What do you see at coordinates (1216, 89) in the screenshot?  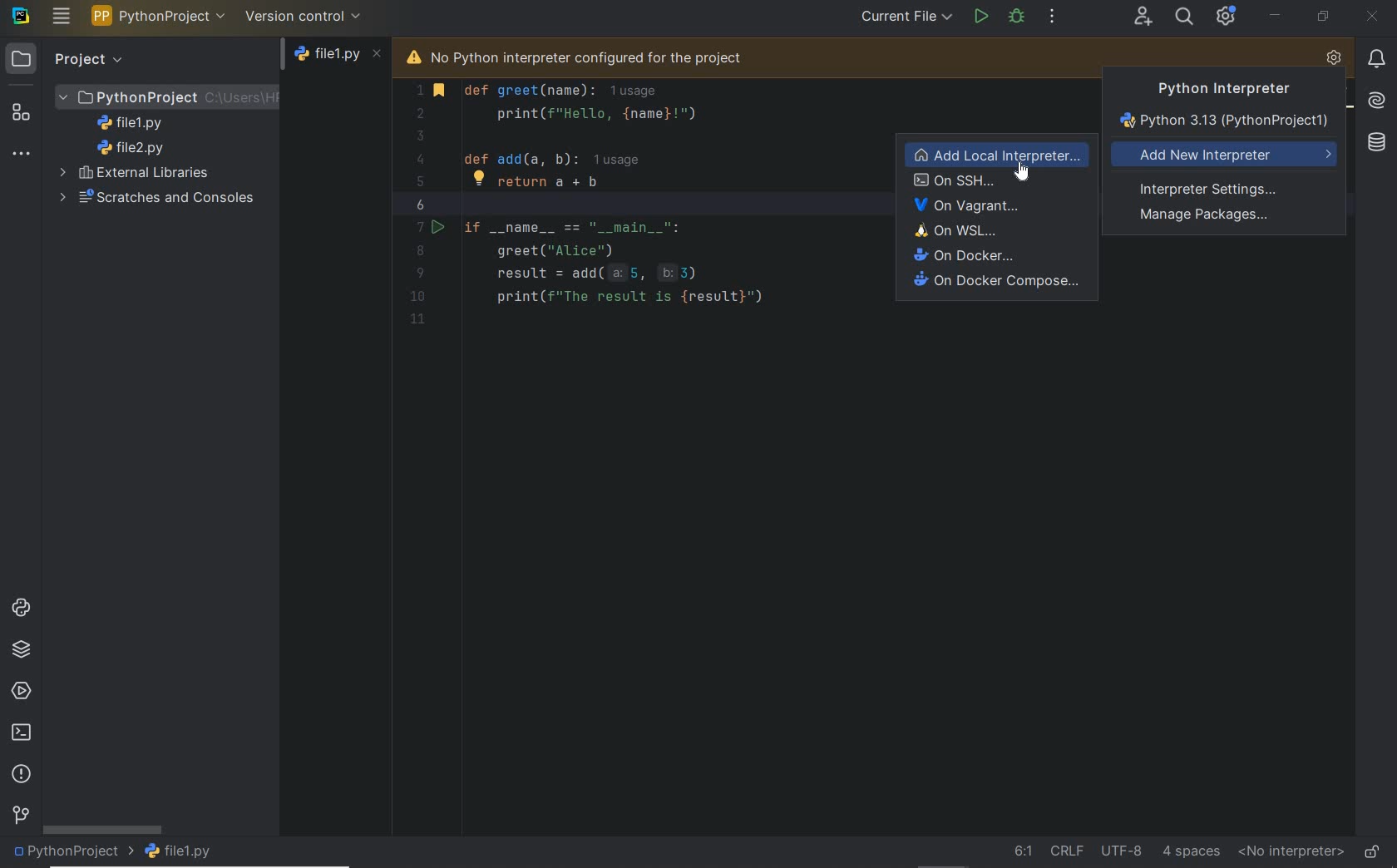 I see `Python Interpreter` at bounding box center [1216, 89].